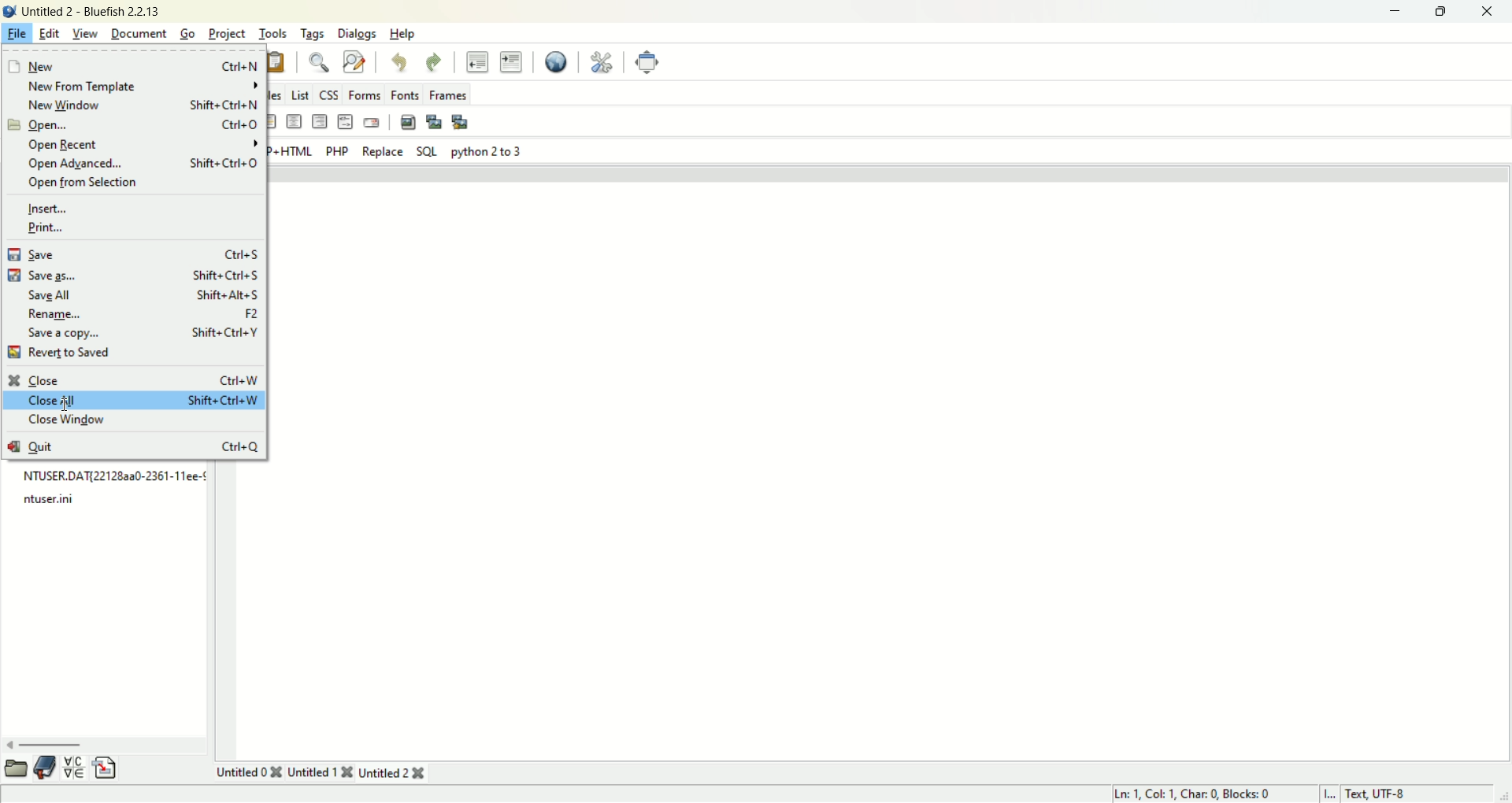 This screenshot has width=1512, height=803. I want to click on revert to saved, so click(63, 354).